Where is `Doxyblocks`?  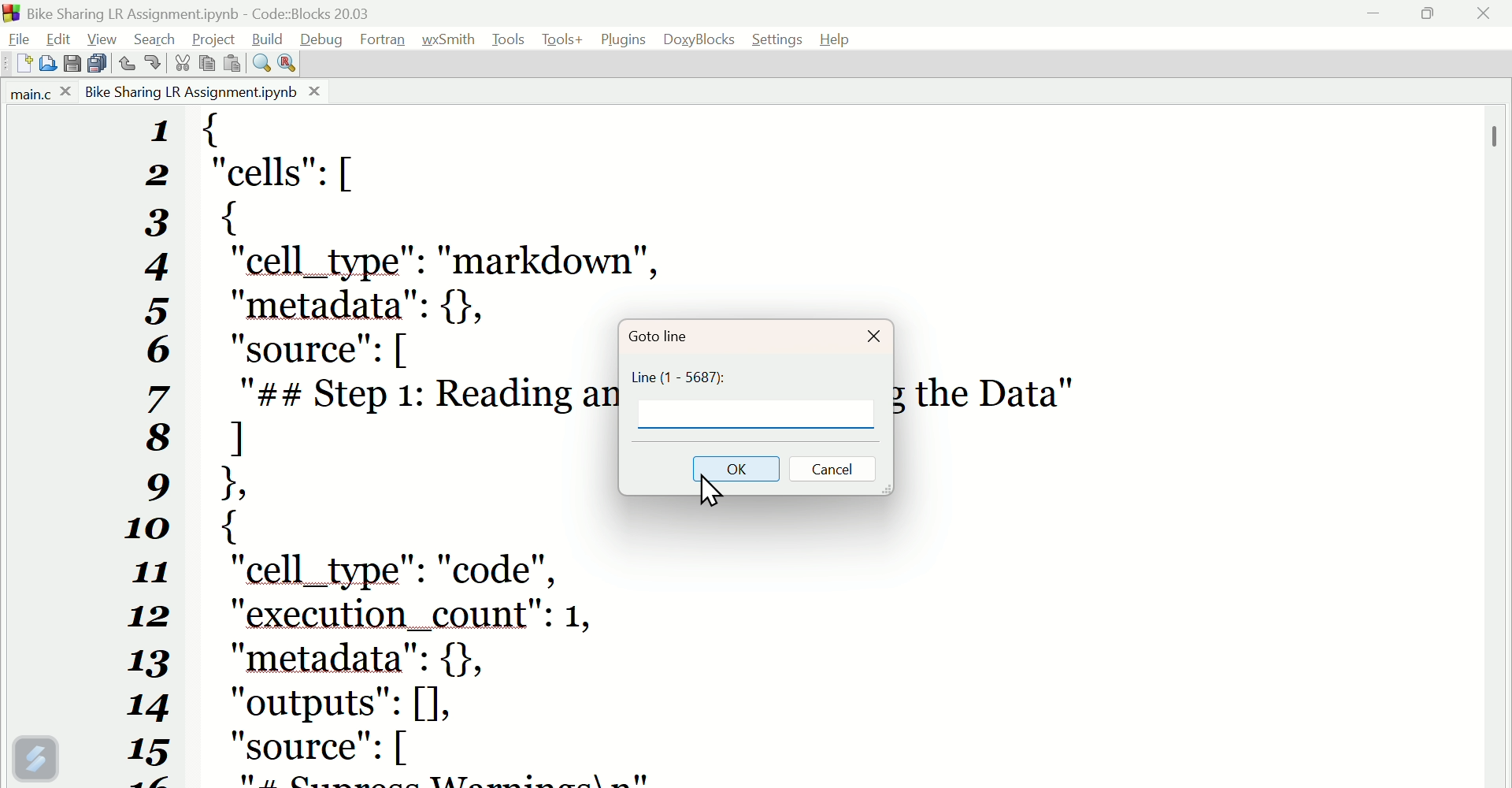
Doxyblocks is located at coordinates (700, 36).